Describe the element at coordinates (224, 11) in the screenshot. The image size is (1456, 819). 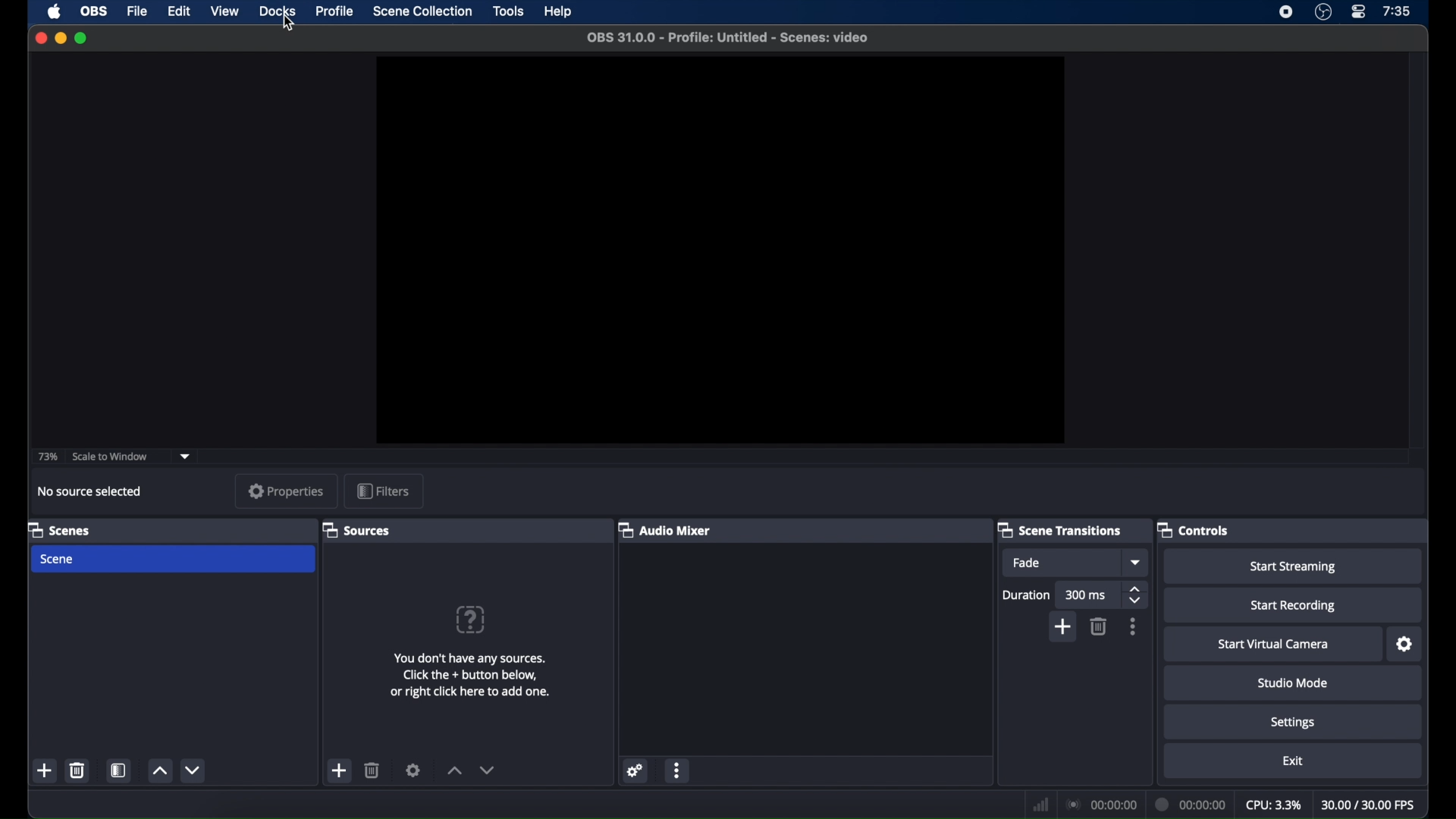
I see `view` at that location.